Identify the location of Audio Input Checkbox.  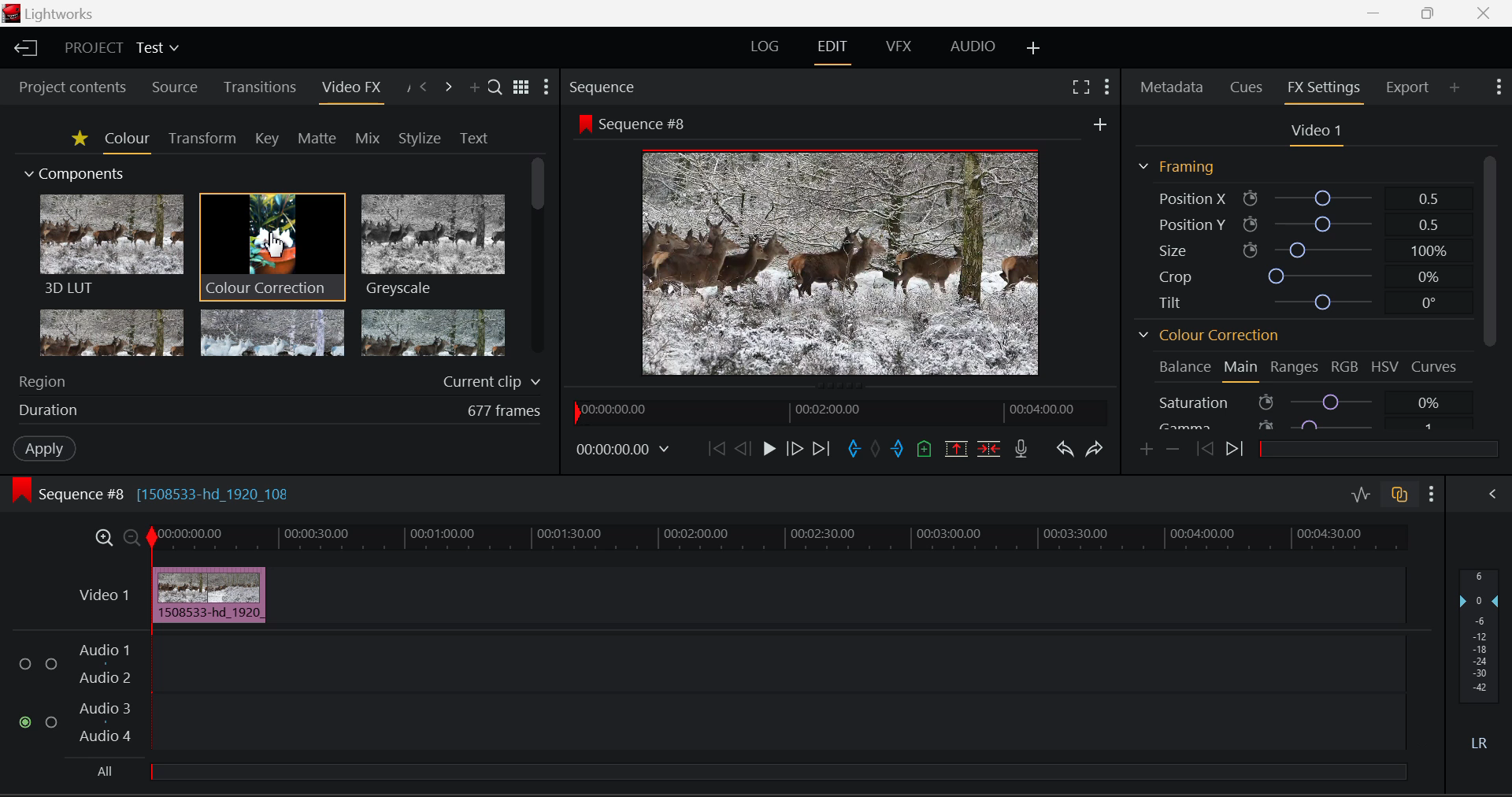
(24, 665).